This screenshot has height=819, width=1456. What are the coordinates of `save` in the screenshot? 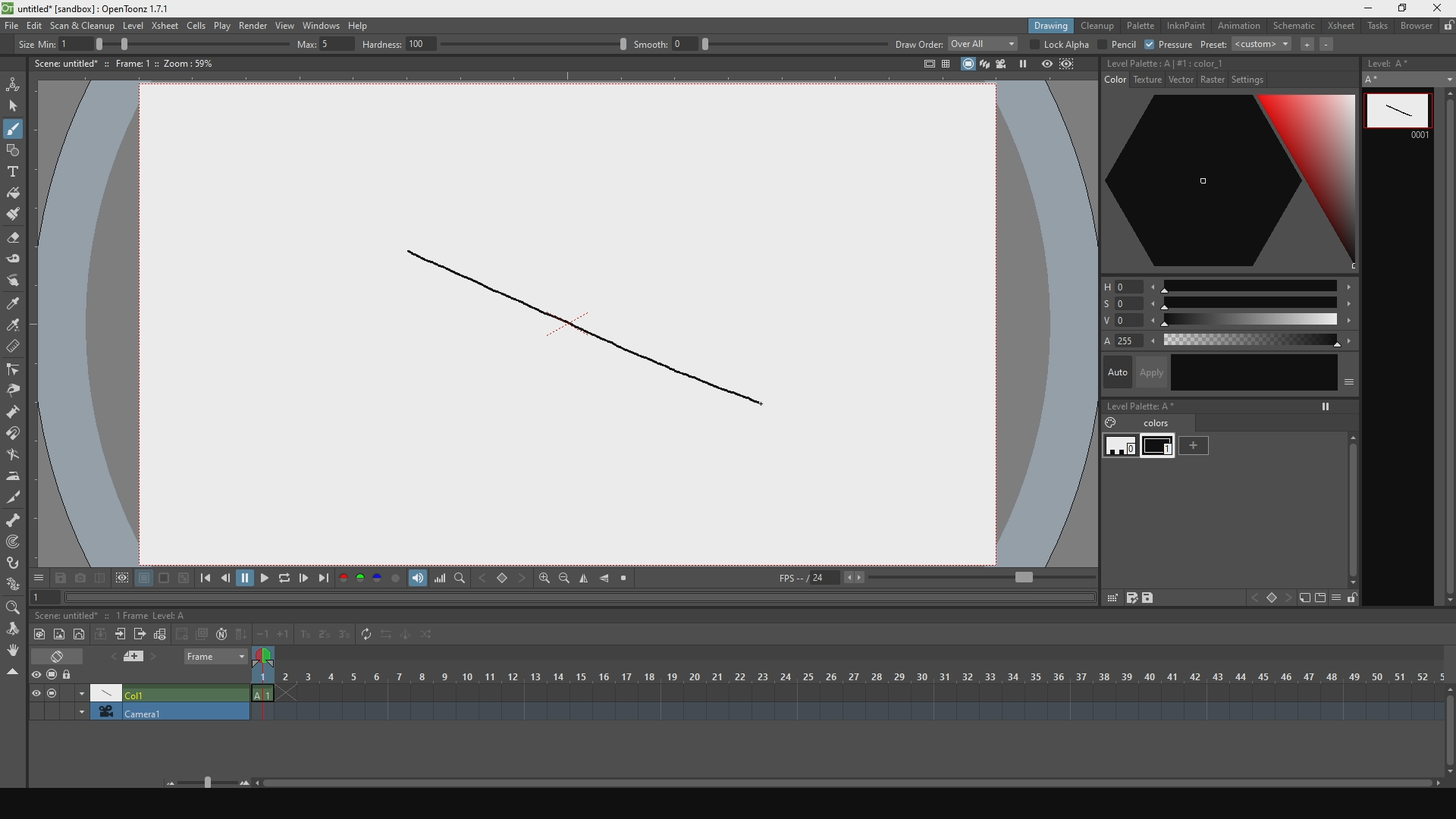 It's located at (60, 579).